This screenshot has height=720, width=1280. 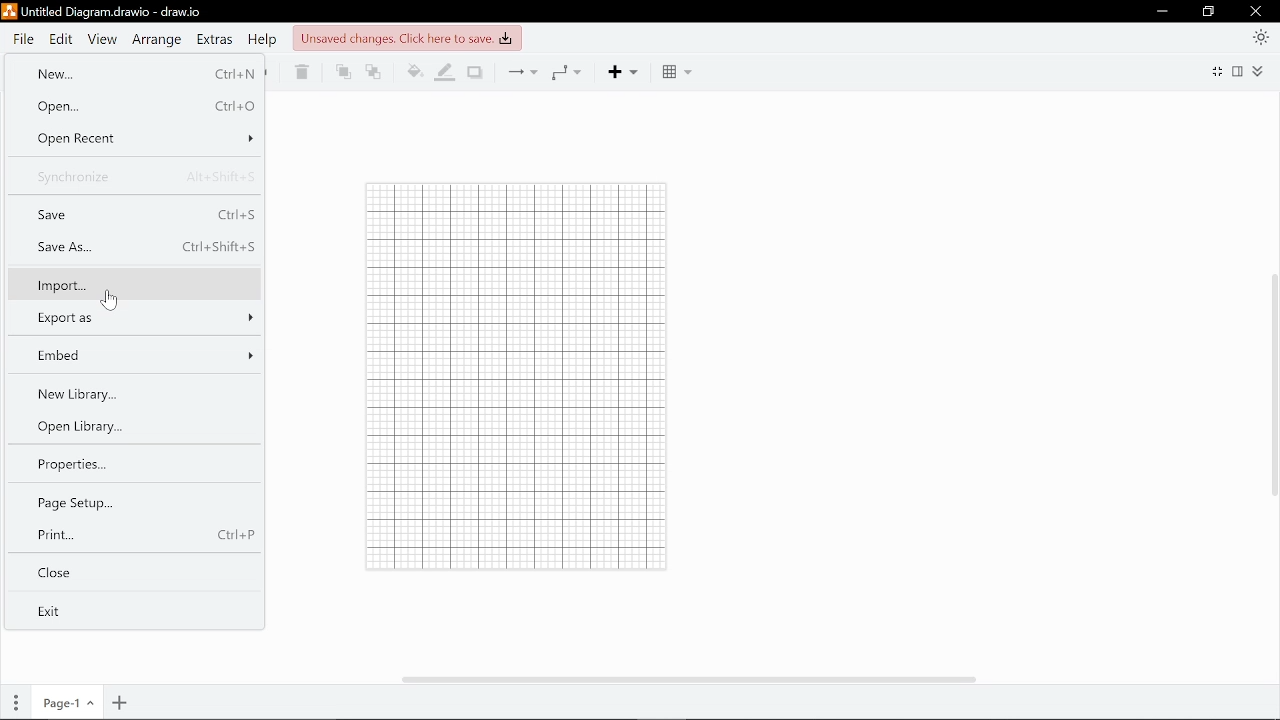 What do you see at coordinates (128, 570) in the screenshot?
I see `Close` at bounding box center [128, 570].